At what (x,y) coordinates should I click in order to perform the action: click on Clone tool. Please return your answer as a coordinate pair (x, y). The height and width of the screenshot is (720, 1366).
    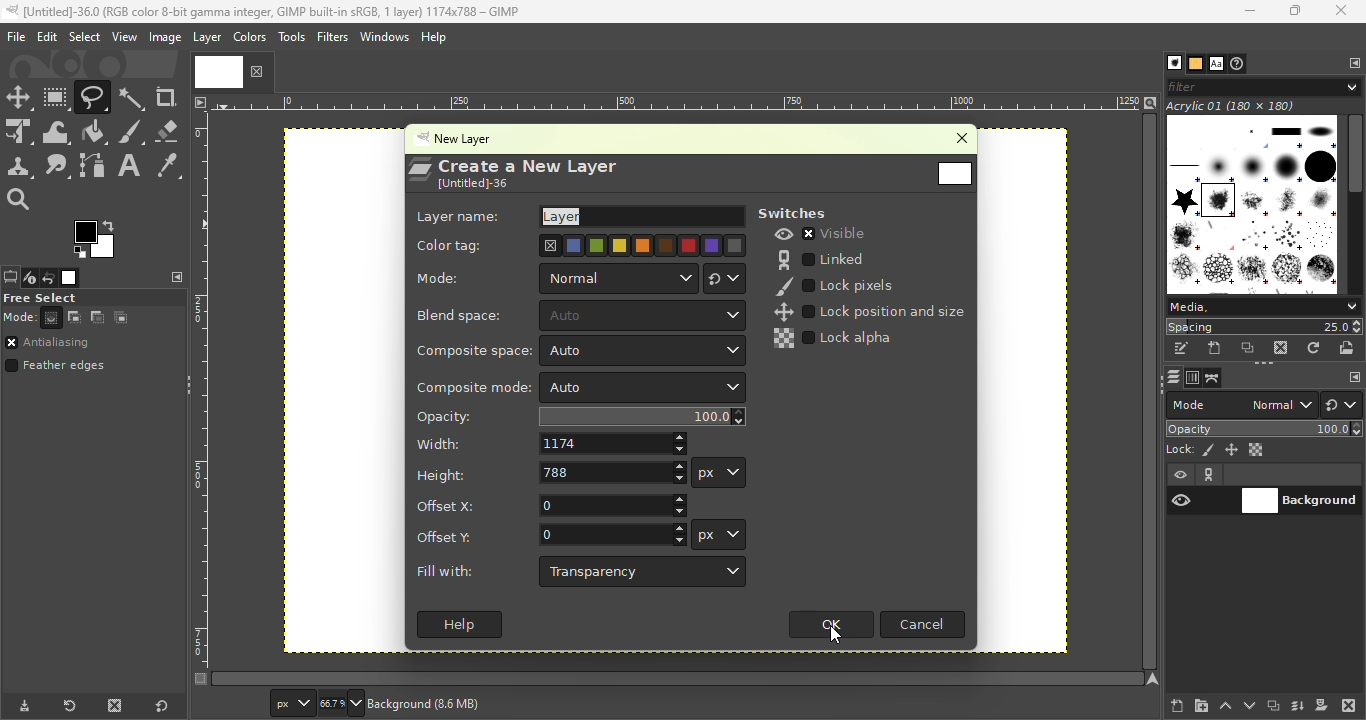
    Looking at the image, I should click on (20, 168).